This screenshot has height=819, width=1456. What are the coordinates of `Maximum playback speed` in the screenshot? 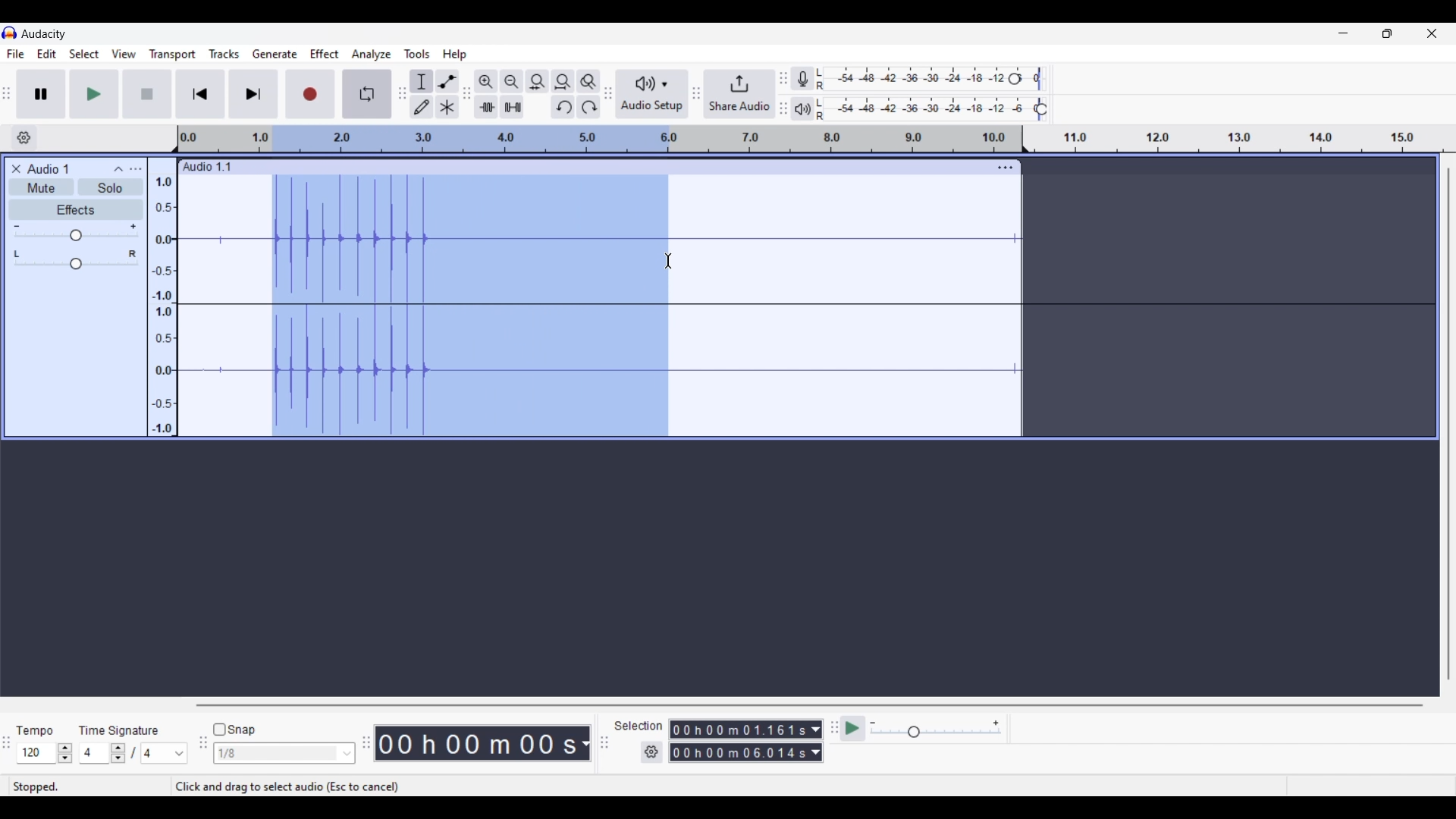 It's located at (996, 723).